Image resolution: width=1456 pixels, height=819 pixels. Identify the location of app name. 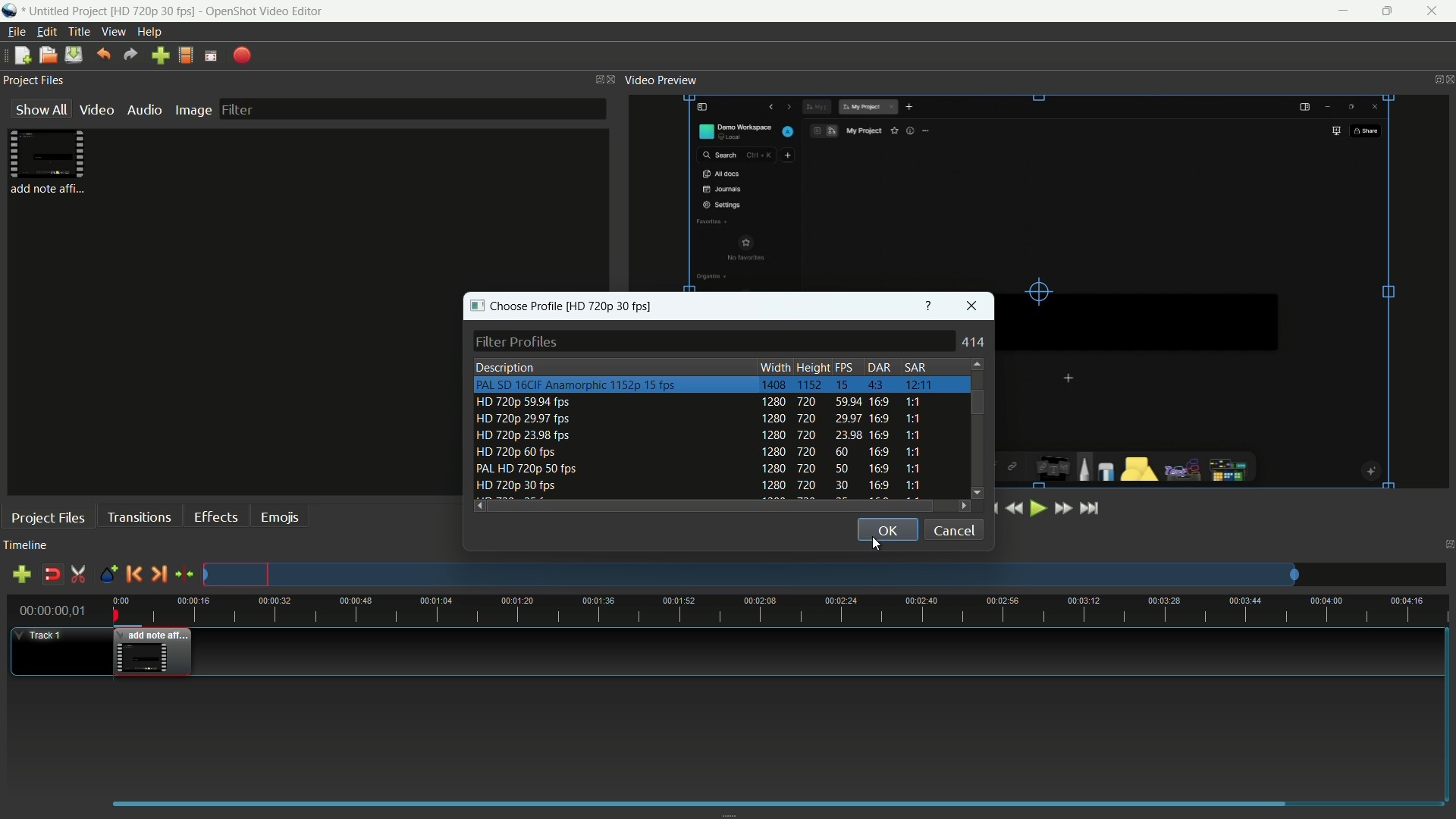
(10, 11).